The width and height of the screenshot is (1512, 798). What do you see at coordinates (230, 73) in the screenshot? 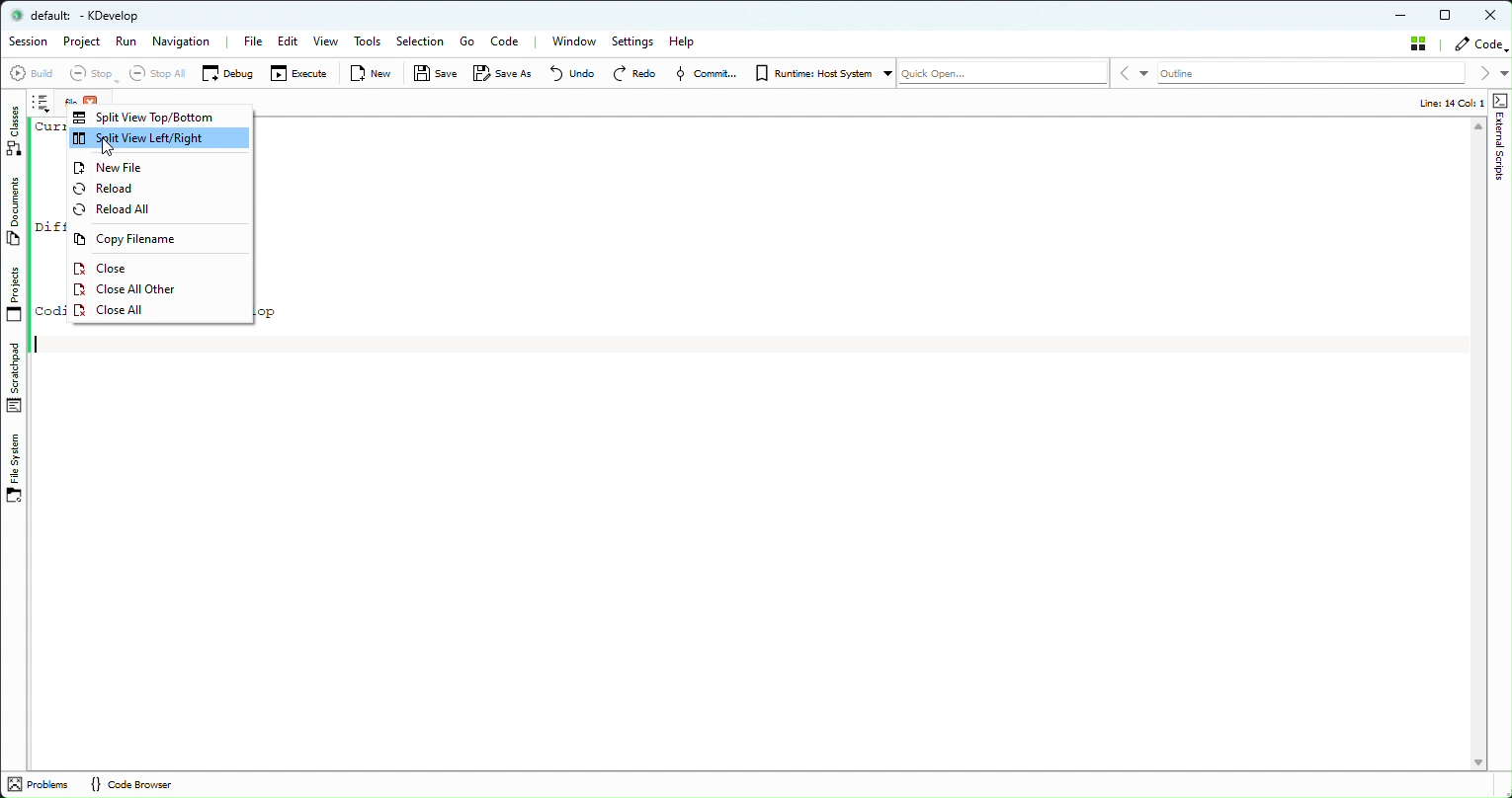
I see `Debug` at bounding box center [230, 73].